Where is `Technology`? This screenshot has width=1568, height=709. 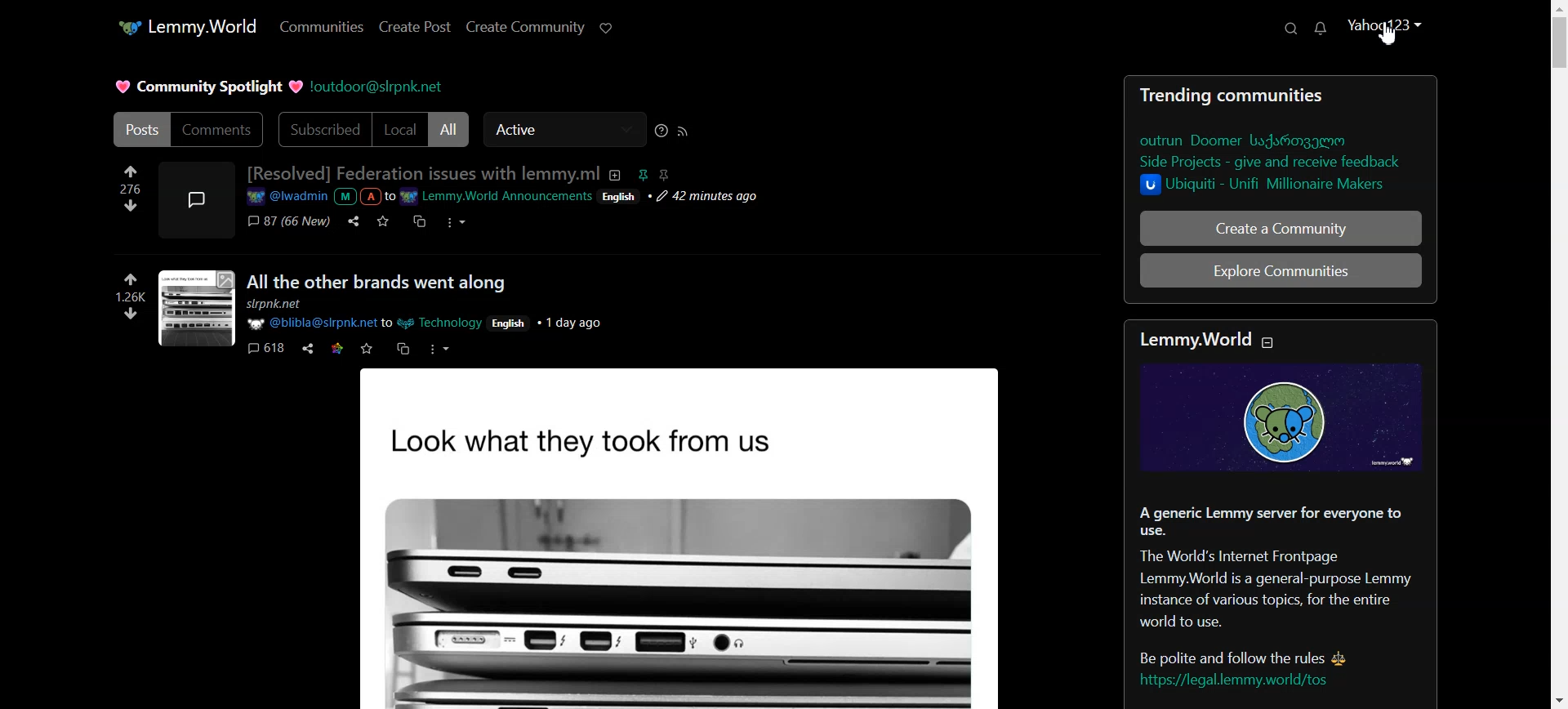
Technology is located at coordinates (443, 323).